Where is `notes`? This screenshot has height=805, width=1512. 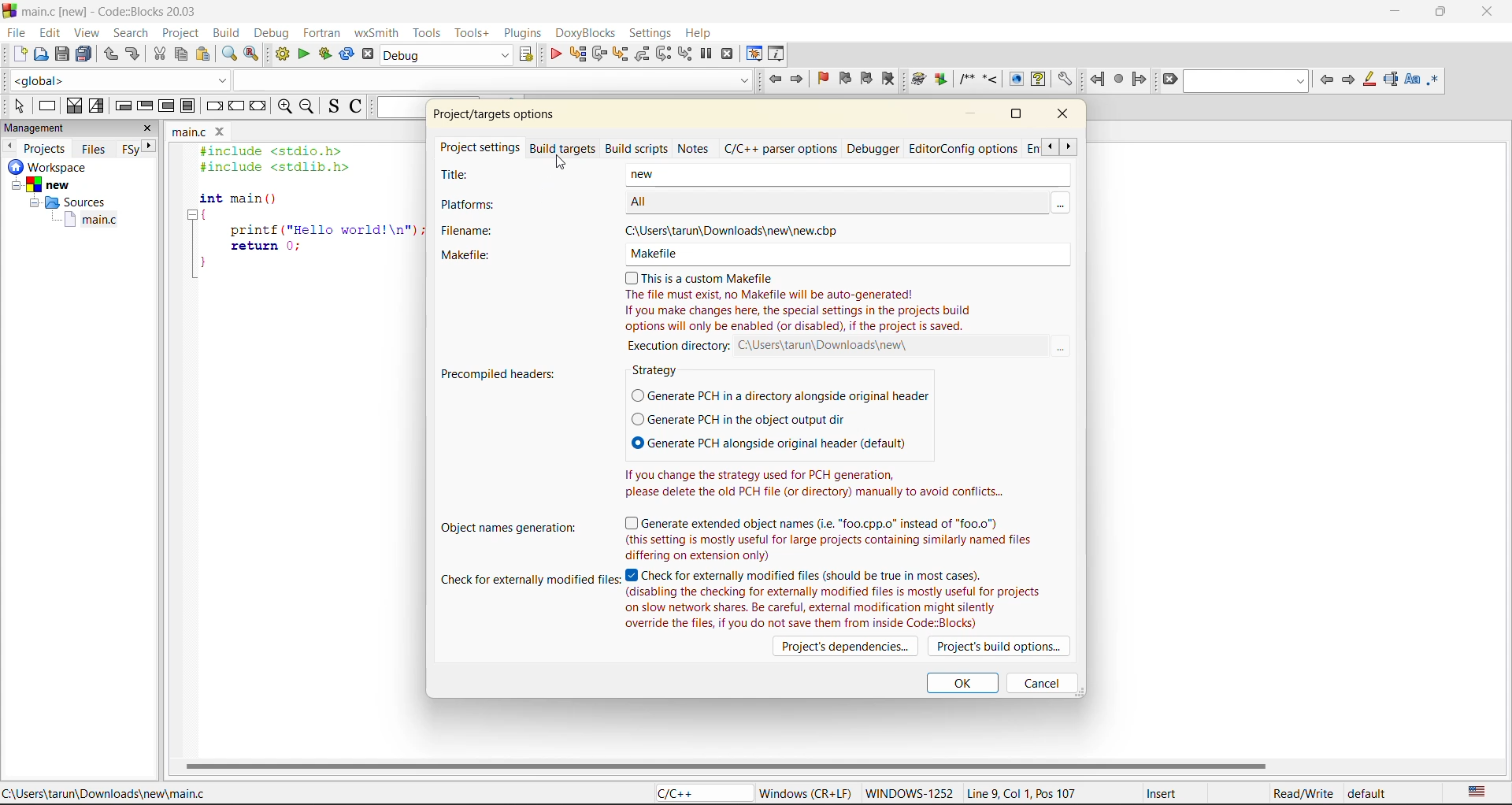
notes is located at coordinates (695, 147).